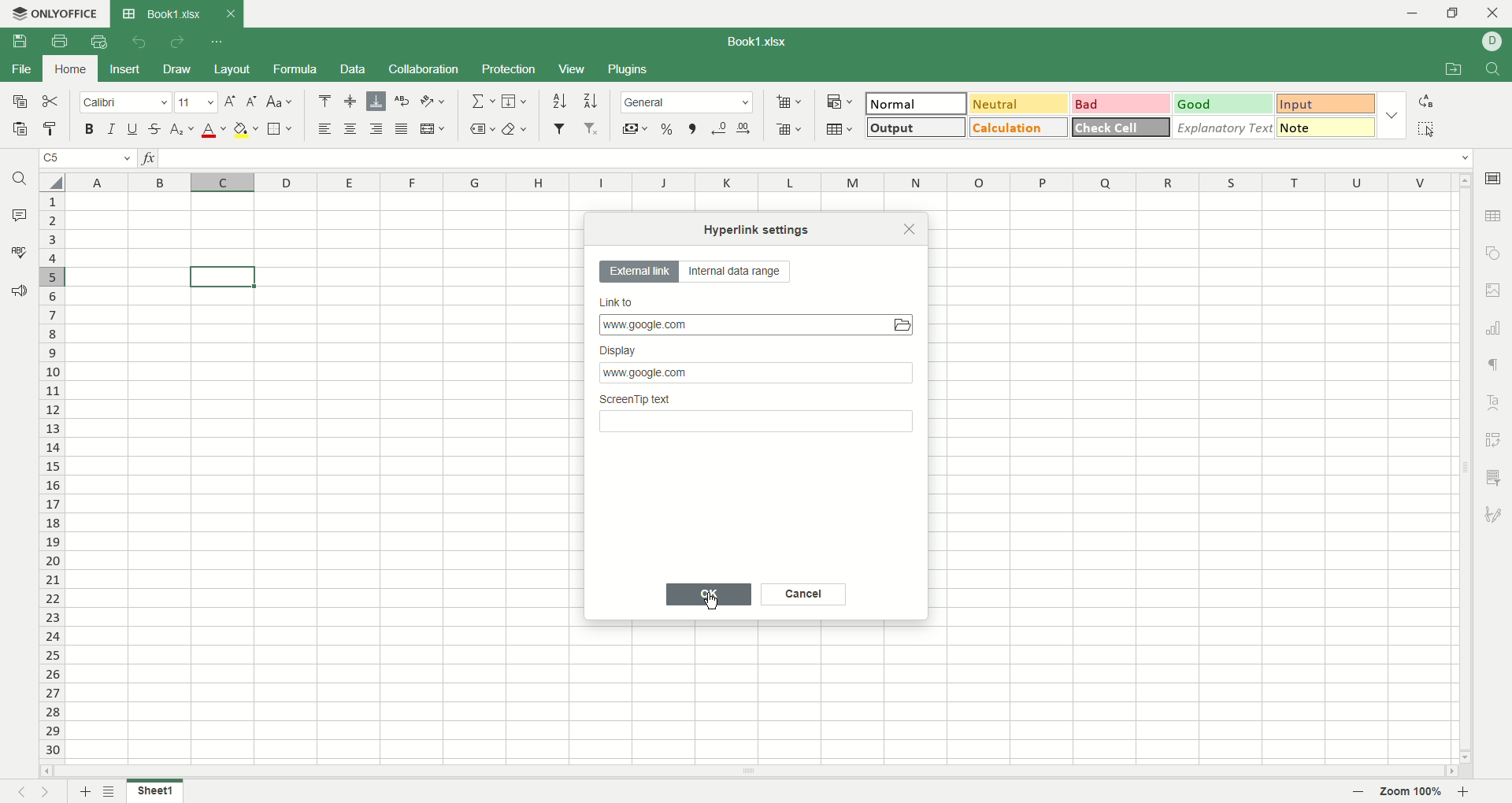 The width and height of the screenshot is (1512, 803). I want to click on collaboration, so click(424, 71).